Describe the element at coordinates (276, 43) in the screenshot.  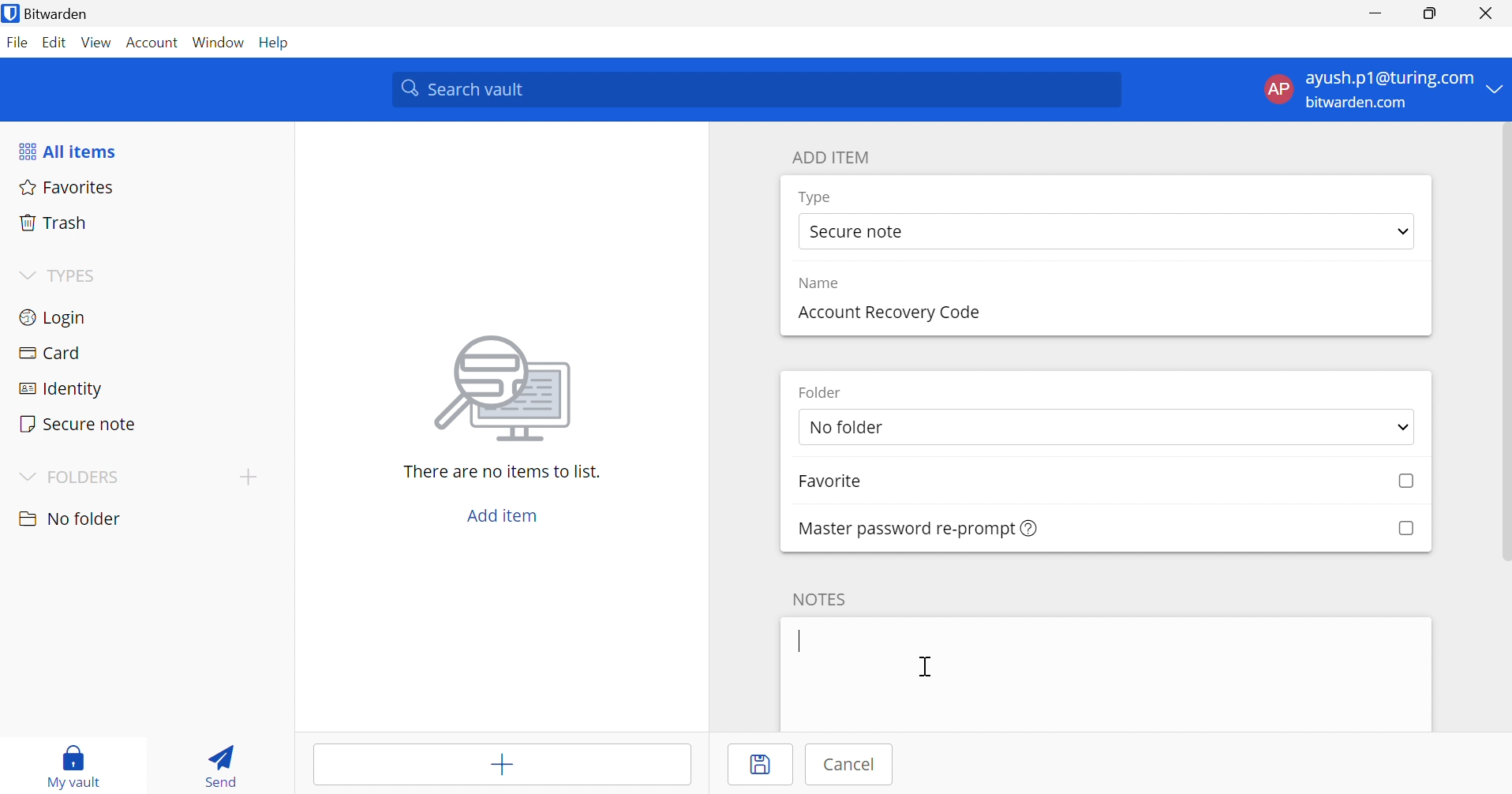
I see `Help` at that location.